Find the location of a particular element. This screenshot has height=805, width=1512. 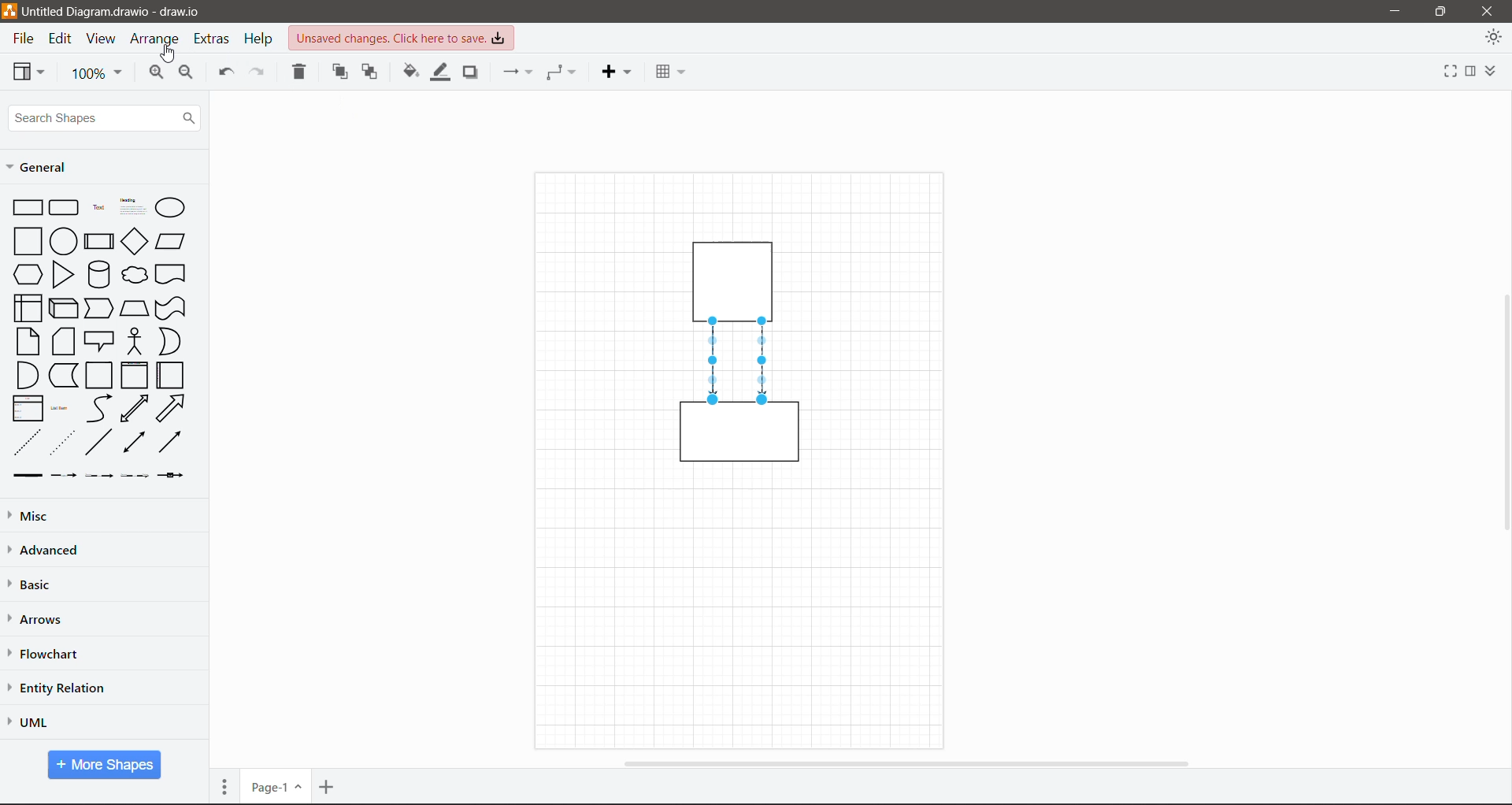

container is located at coordinates (740, 437).